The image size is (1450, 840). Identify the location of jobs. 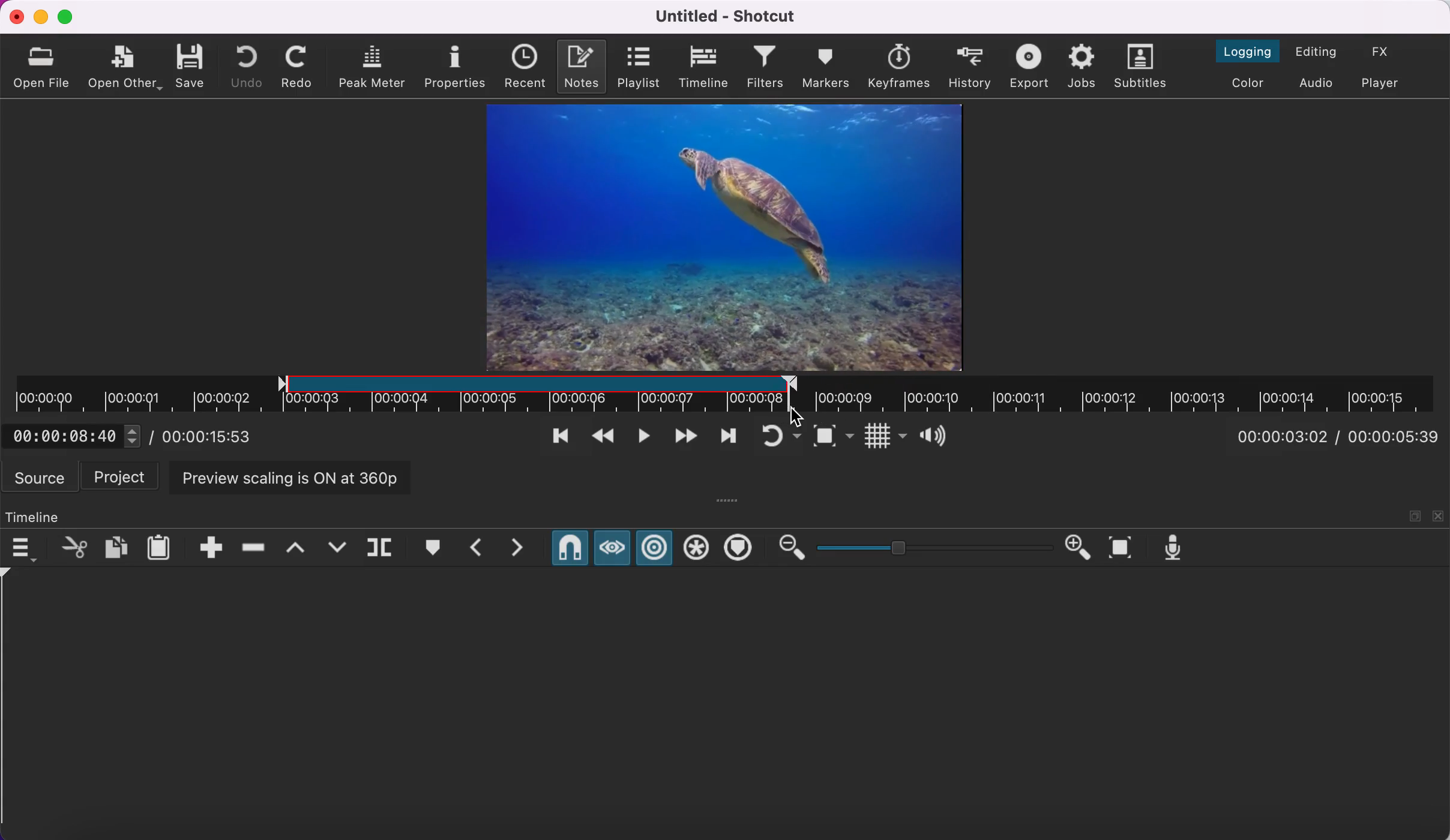
(1083, 67).